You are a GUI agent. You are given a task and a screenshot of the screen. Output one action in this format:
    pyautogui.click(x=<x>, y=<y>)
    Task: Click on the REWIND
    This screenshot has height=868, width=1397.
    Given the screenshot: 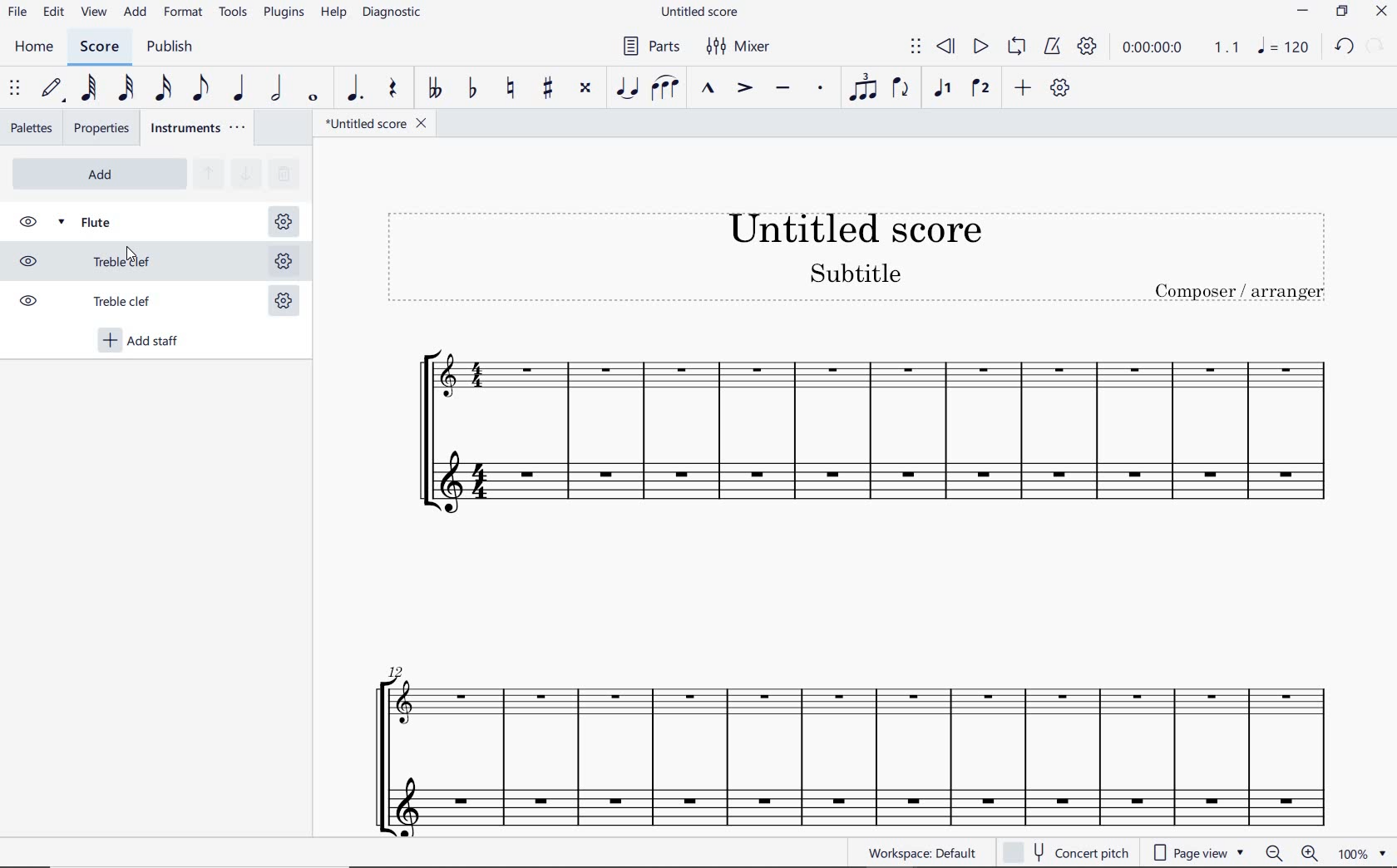 What is the action you would take?
    pyautogui.click(x=946, y=47)
    